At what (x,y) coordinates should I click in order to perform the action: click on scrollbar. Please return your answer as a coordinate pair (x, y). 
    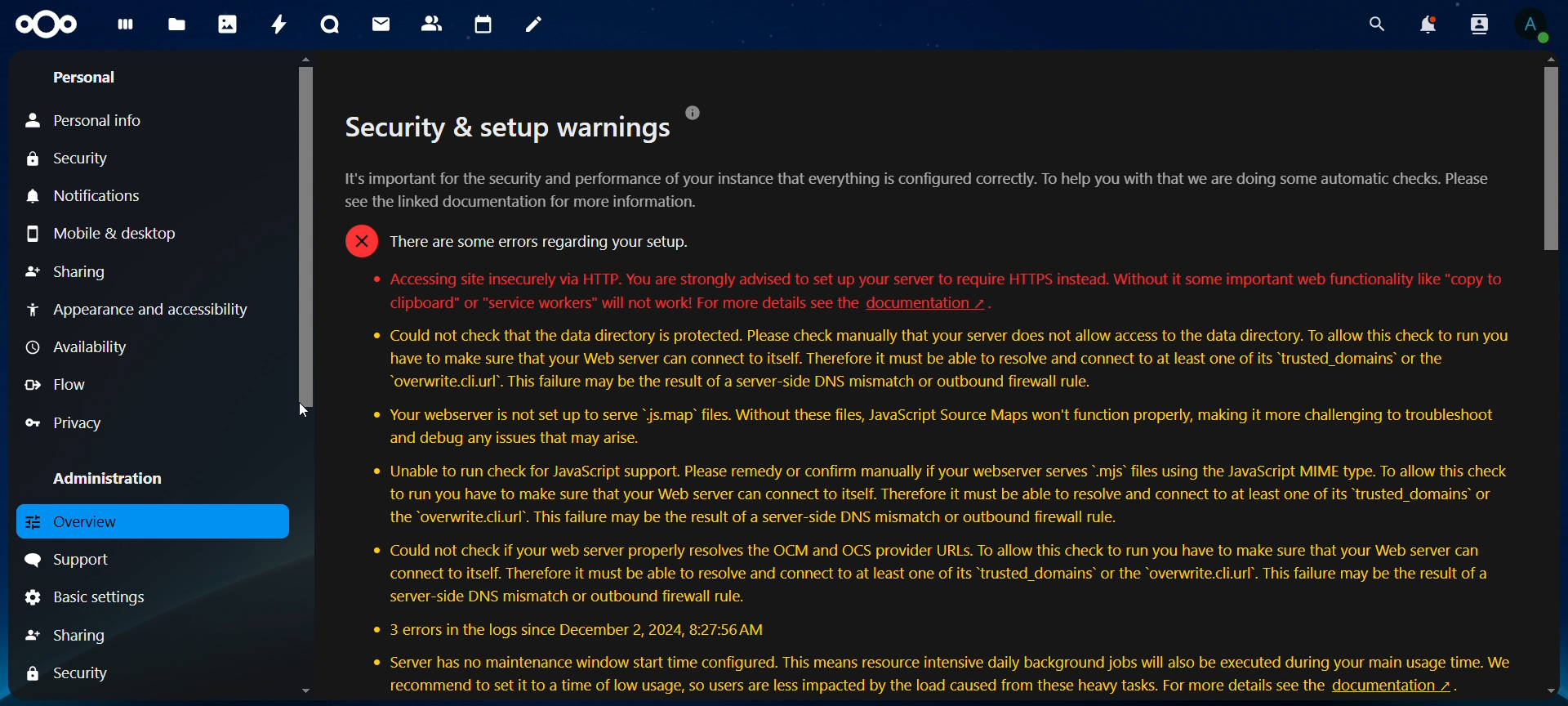
    Looking at the image, I should click on (1552, 154).